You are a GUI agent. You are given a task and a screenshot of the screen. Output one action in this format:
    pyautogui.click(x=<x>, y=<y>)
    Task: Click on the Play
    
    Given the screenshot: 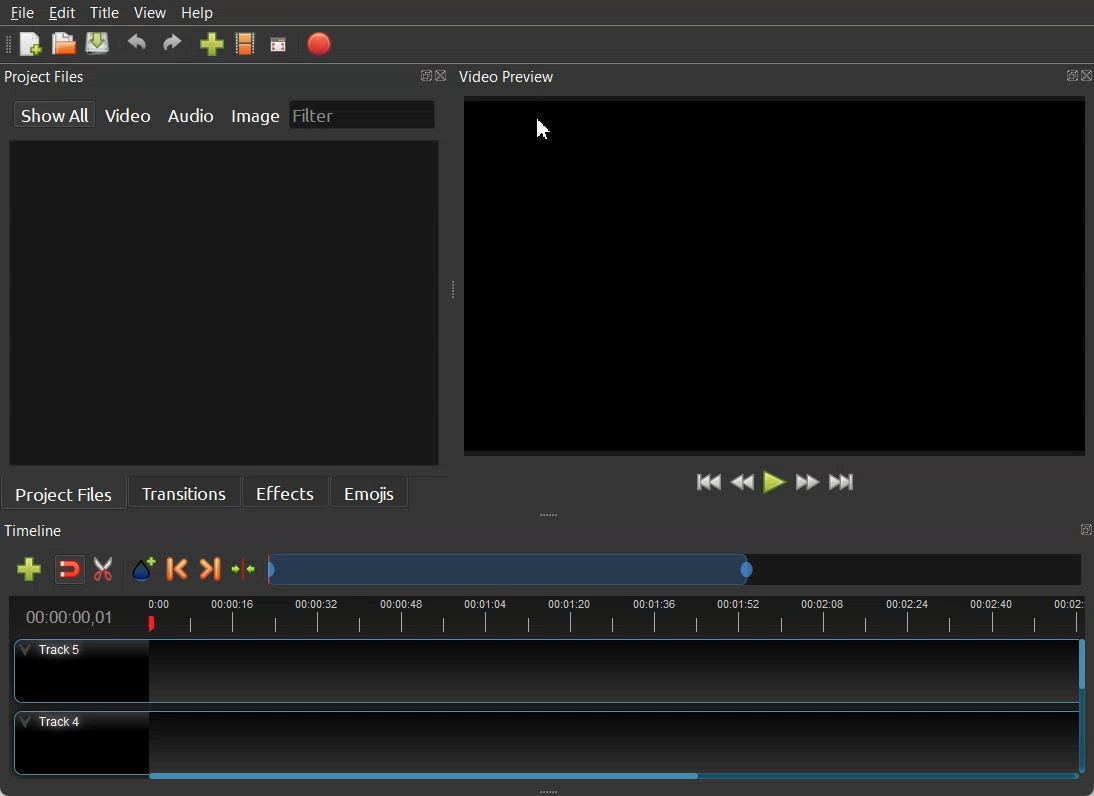 What is the action you would take?
    pyautogui.click(x=774, y=481)
    